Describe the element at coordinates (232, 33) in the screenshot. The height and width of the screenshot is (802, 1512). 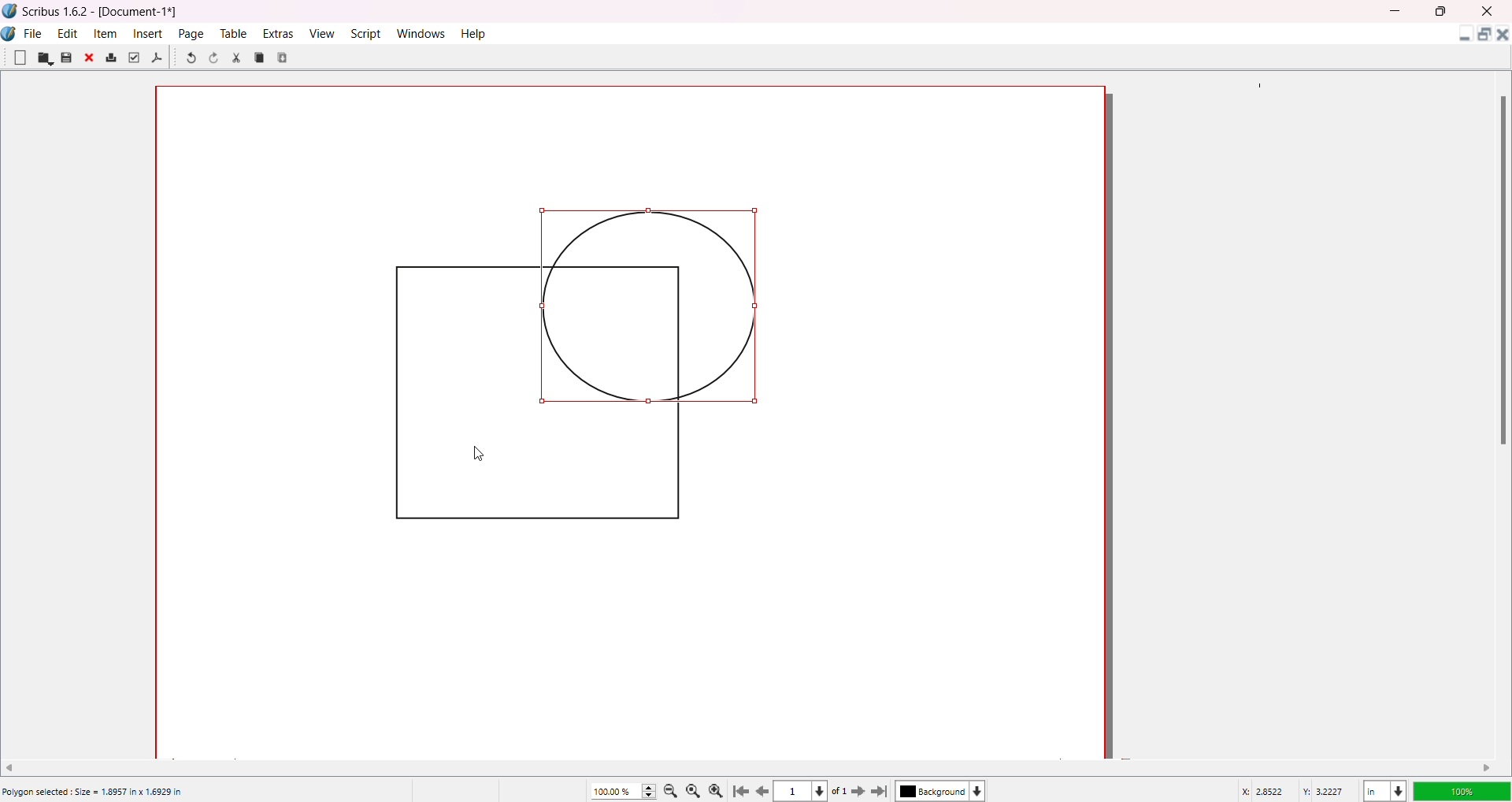
I see `Table` at that location.